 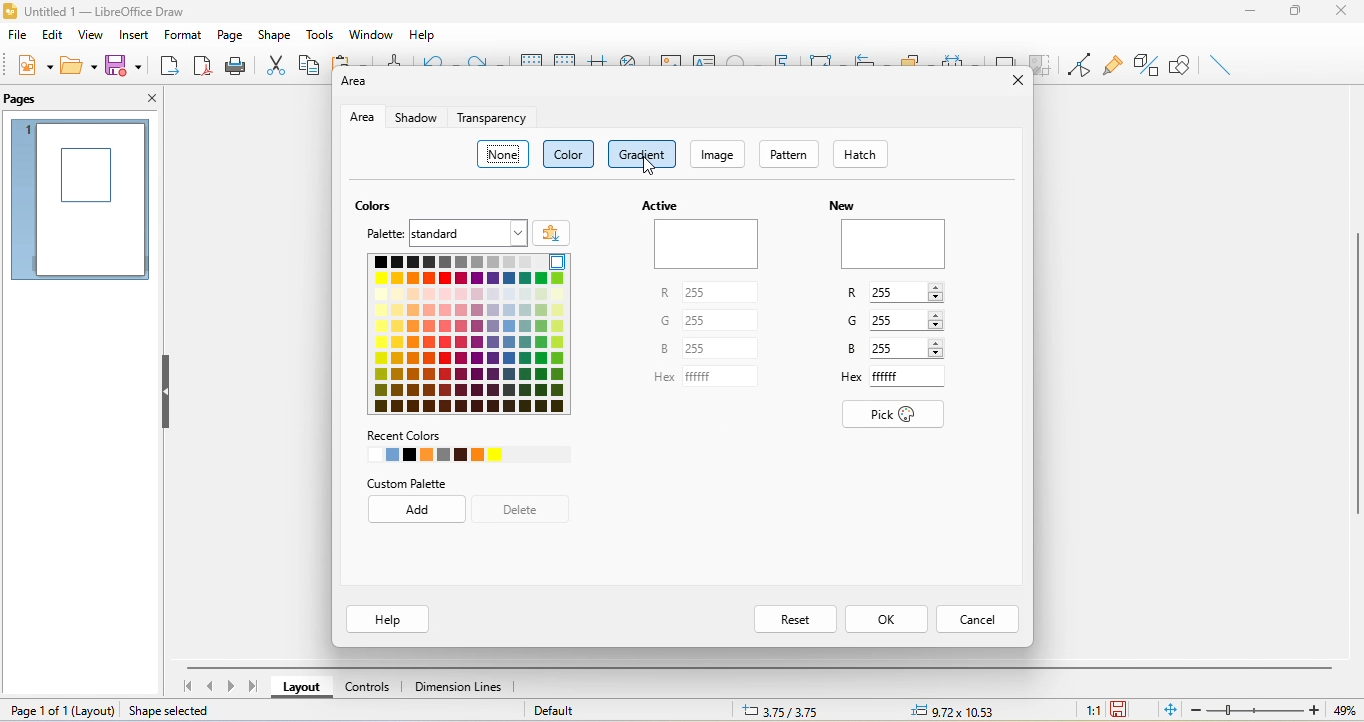 I want to click on pattern, so click(x=790, y=153).